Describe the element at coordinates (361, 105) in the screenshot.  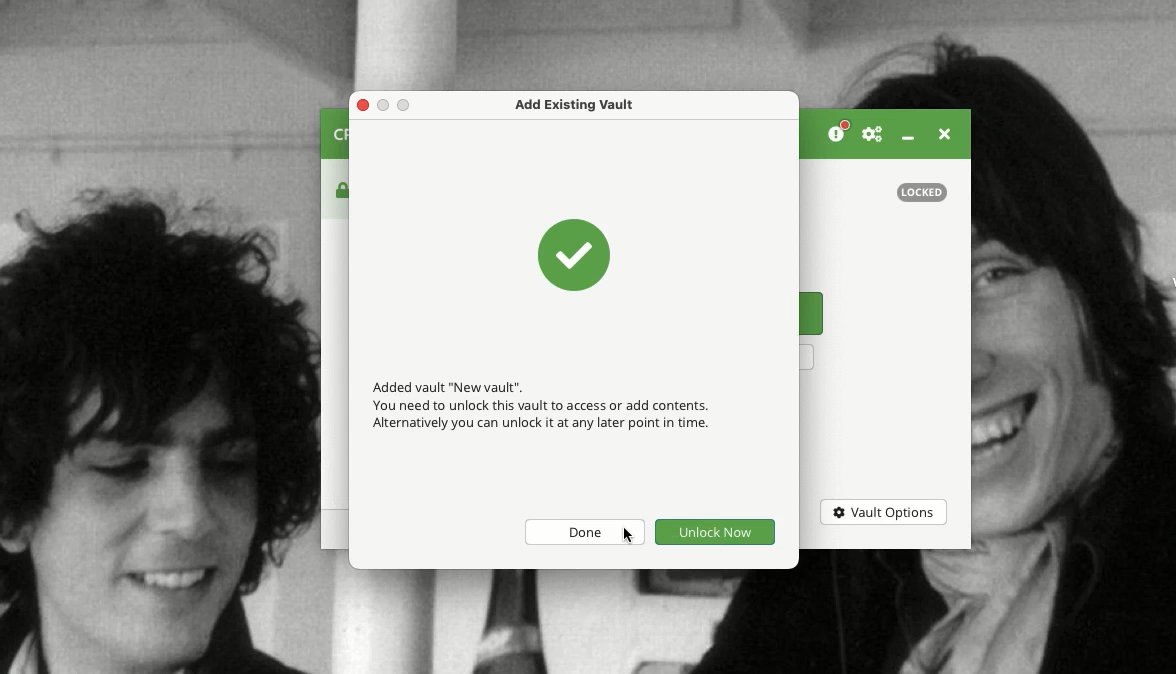
I see `Close` at that location.